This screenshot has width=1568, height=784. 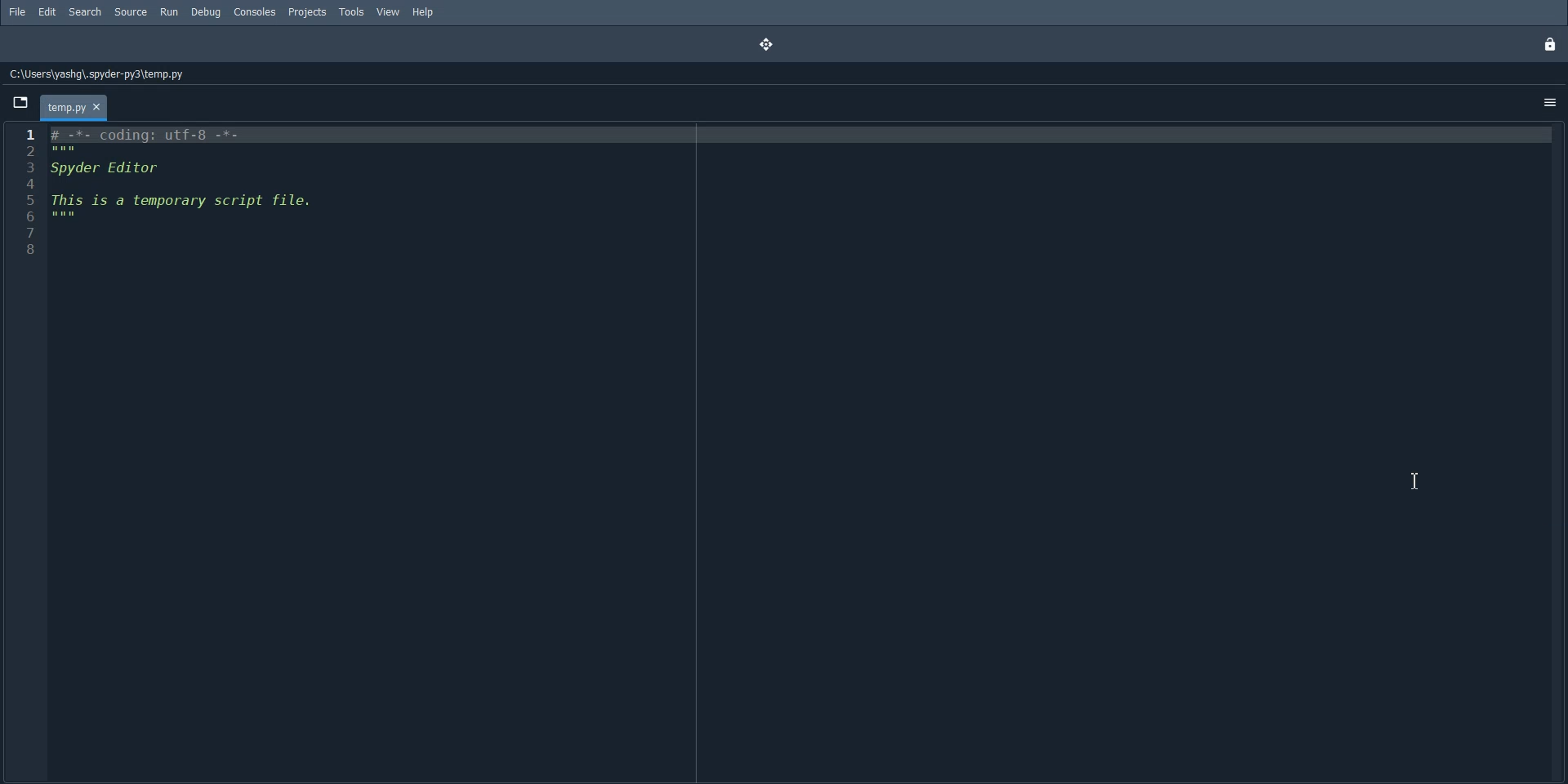 I want to click on Text Cursor, so click(x=1417, y=482).